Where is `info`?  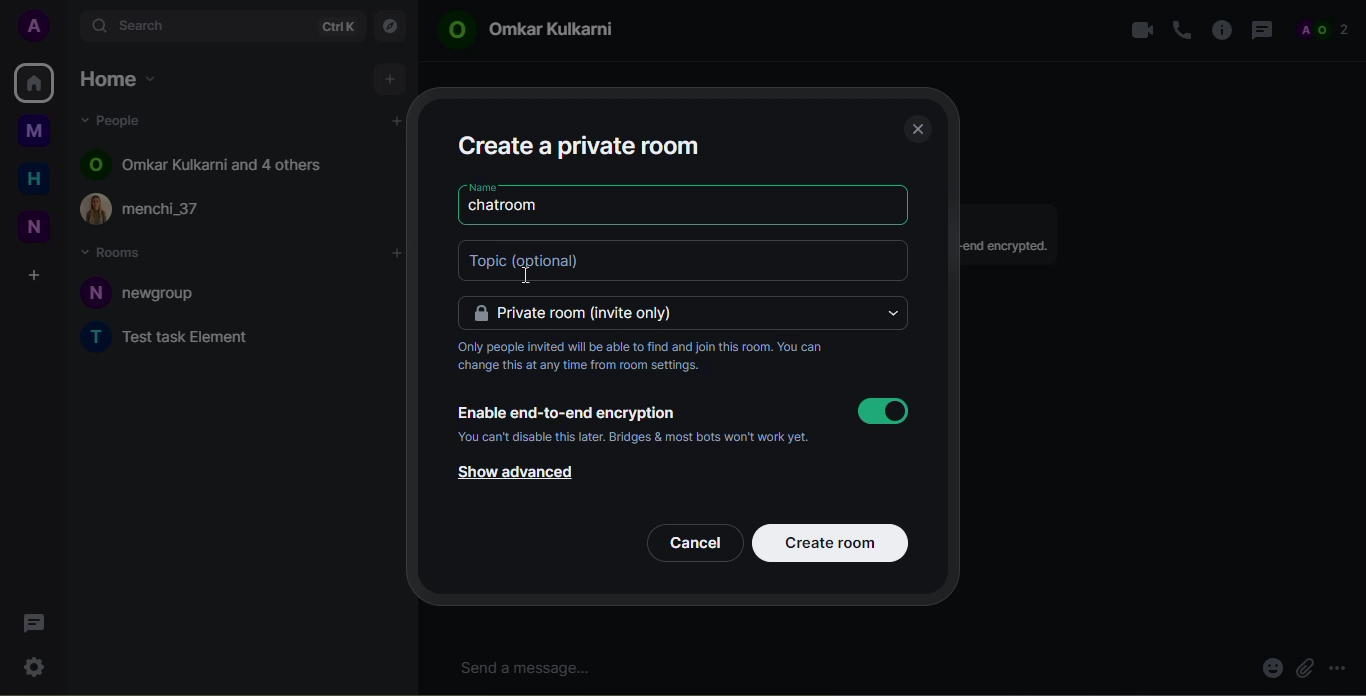 info is located at coordinates (1221, 28).